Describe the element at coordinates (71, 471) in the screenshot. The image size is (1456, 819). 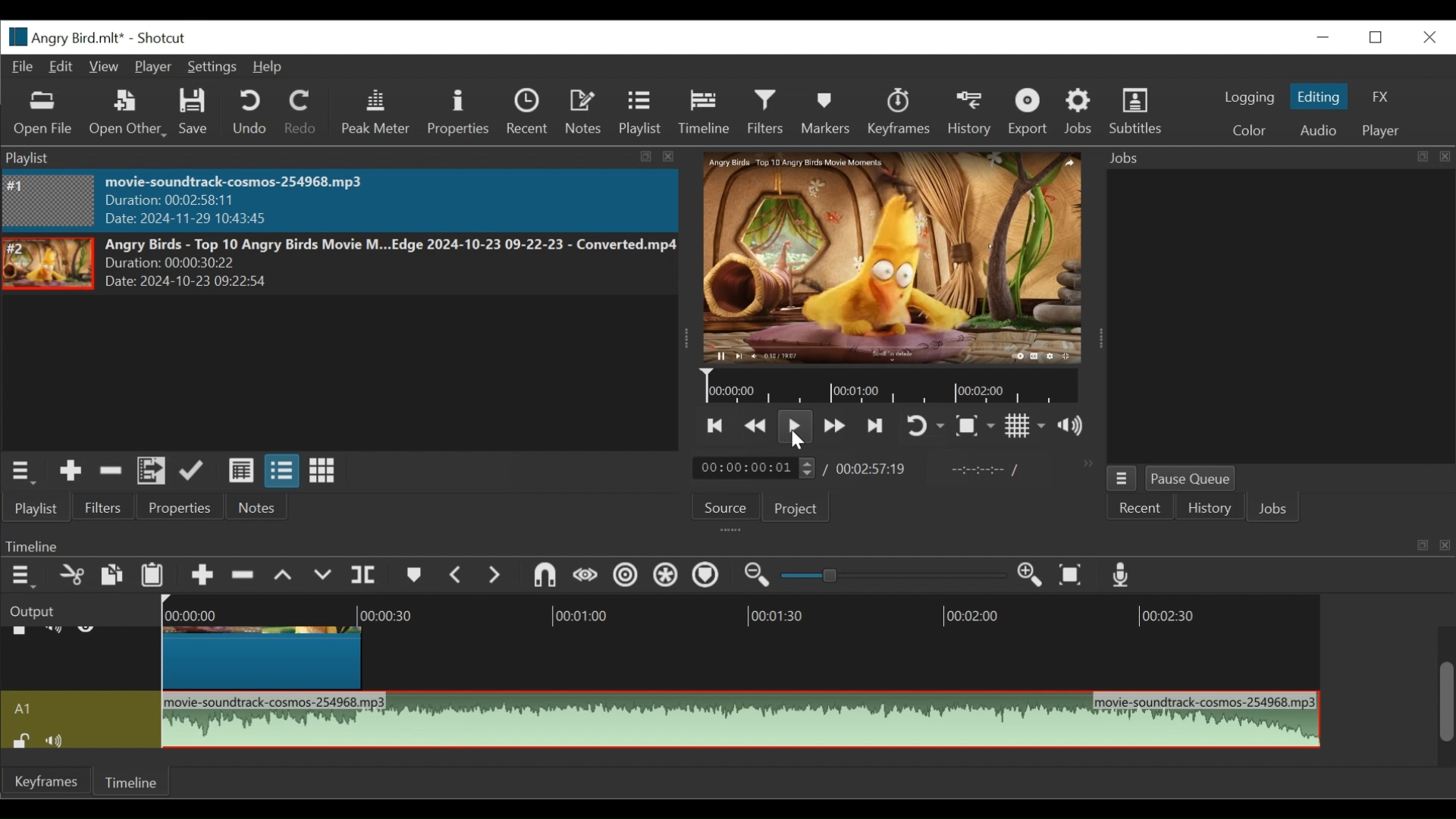
I see `Add the source to the playlist` at that location.